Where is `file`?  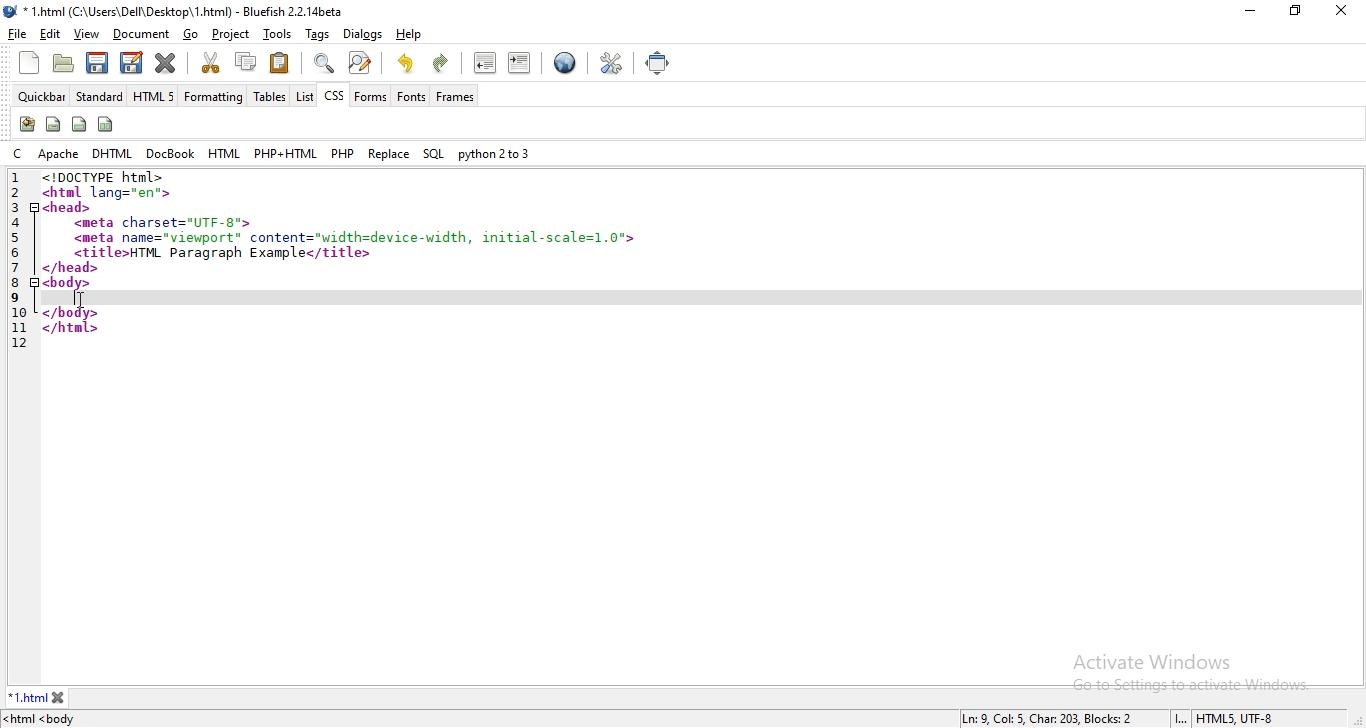 file is located at coordinates (20, 33).